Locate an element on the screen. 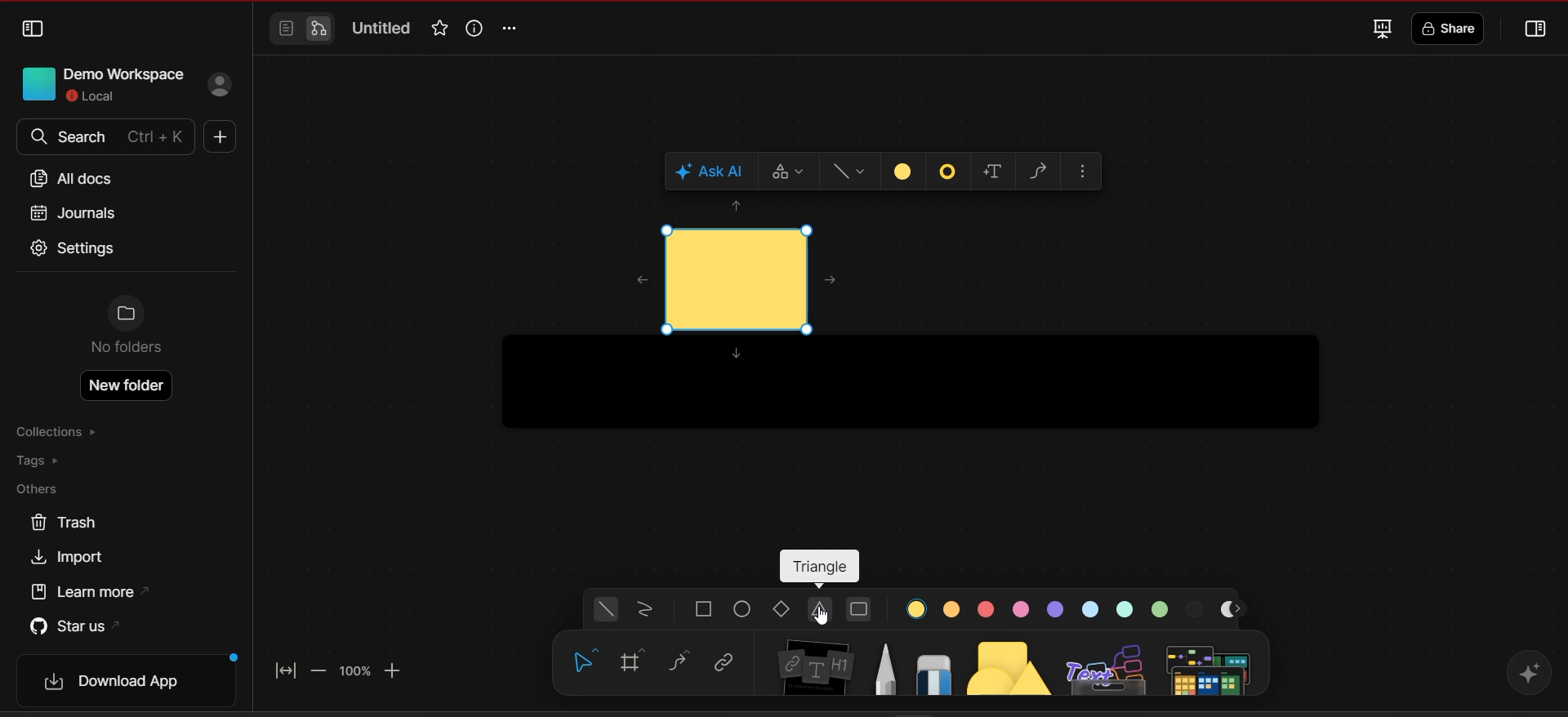 This screenshot has width=1568, height=717. tags is located at coordinates (50, 461).